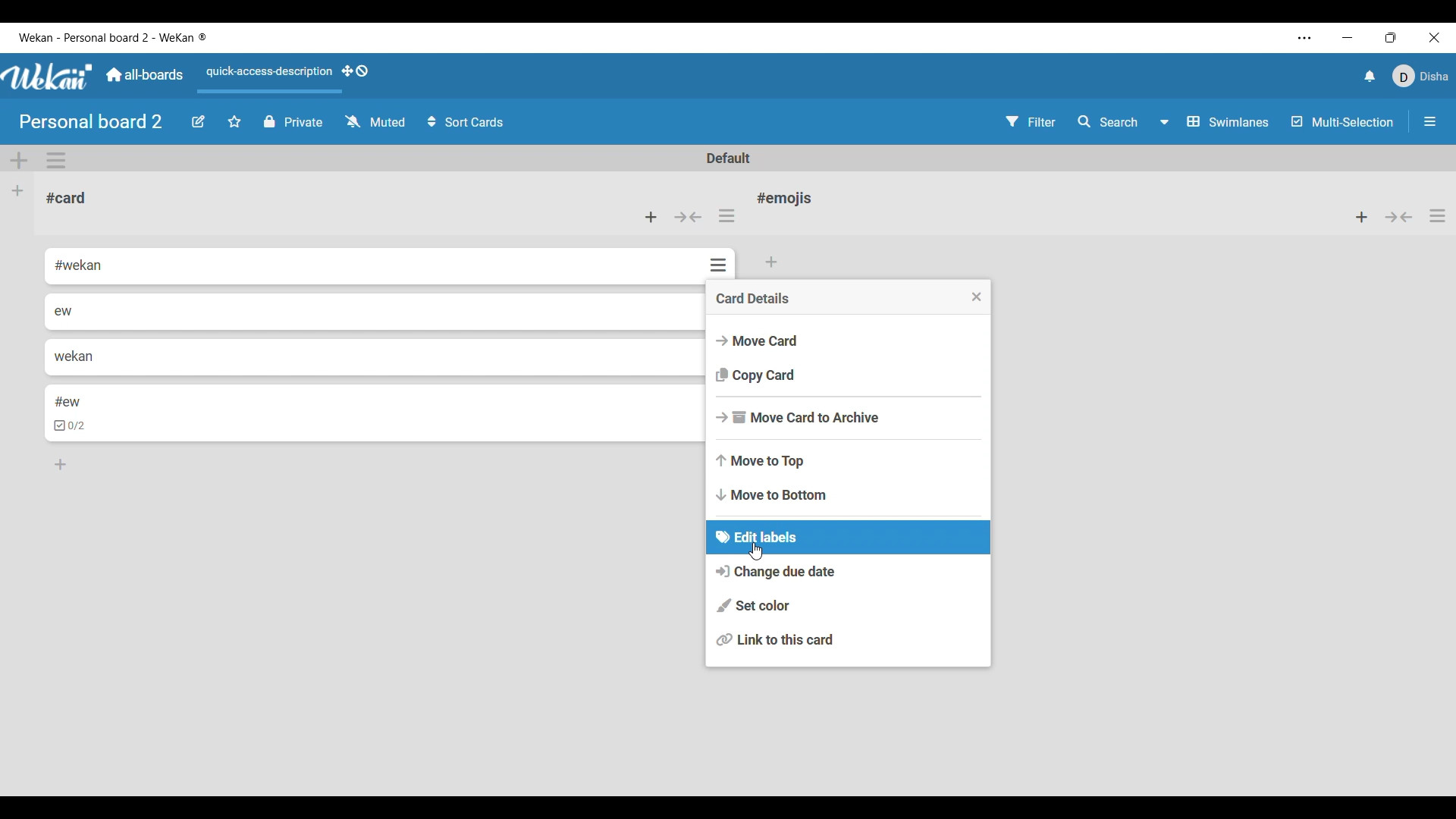  What do you see at coordinates (198, 122) in the screenshot?
I see `Edit` at bounding box center [198, 122].